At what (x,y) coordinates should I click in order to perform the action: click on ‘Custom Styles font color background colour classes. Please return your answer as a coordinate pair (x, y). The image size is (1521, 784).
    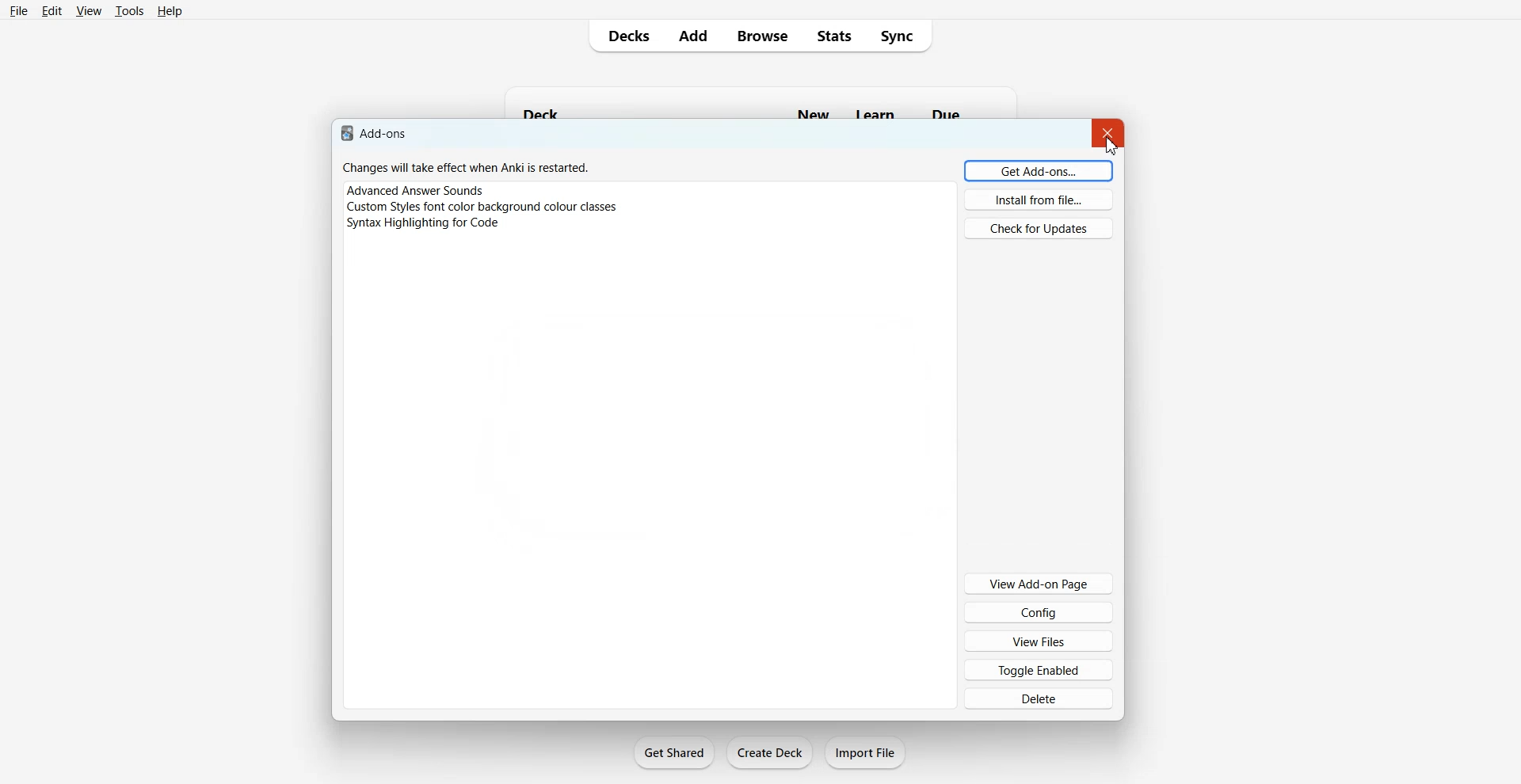
    Looking at the image, I should click on (486, 206).